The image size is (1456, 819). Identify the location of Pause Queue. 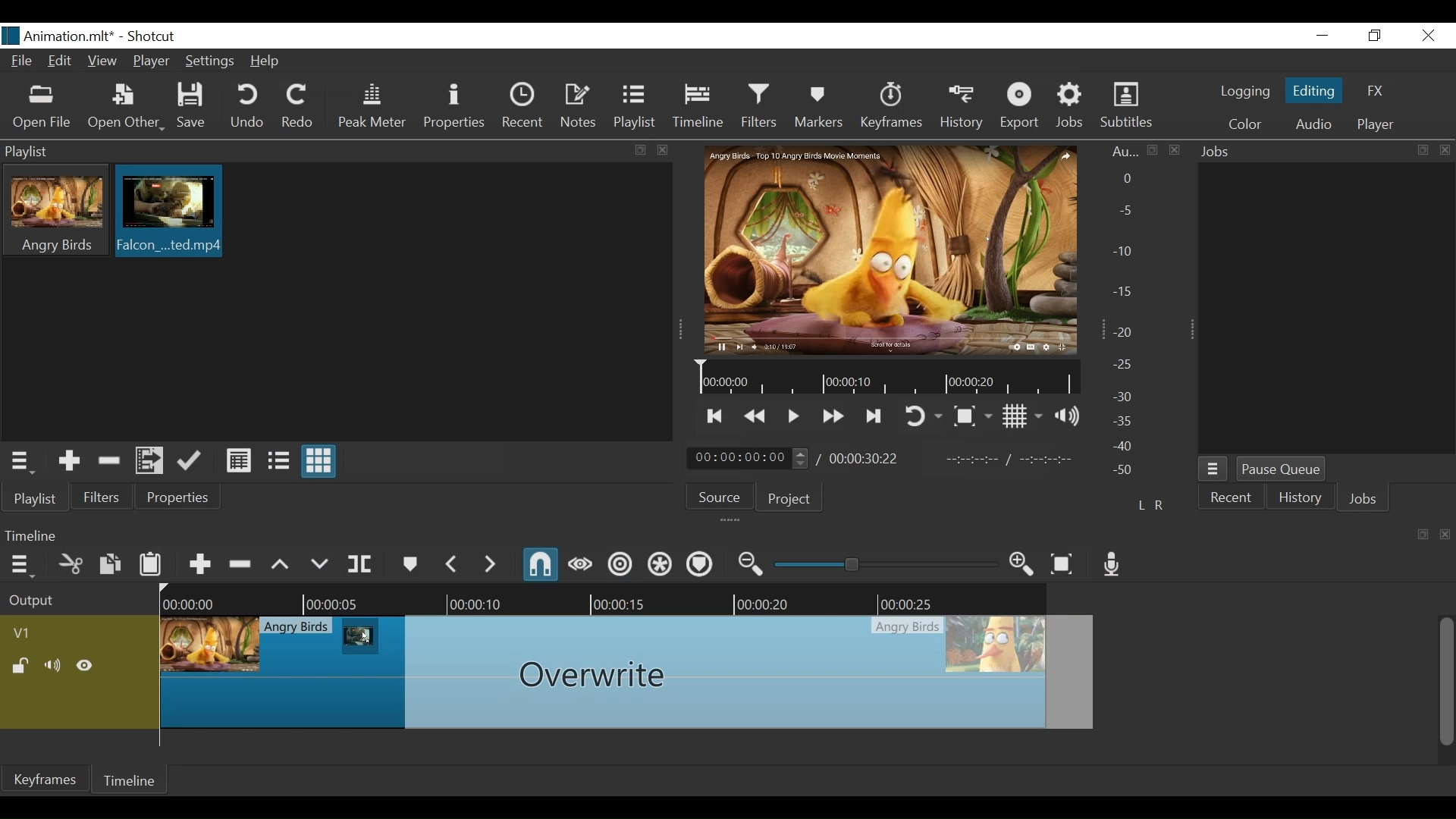
(1281, 470).